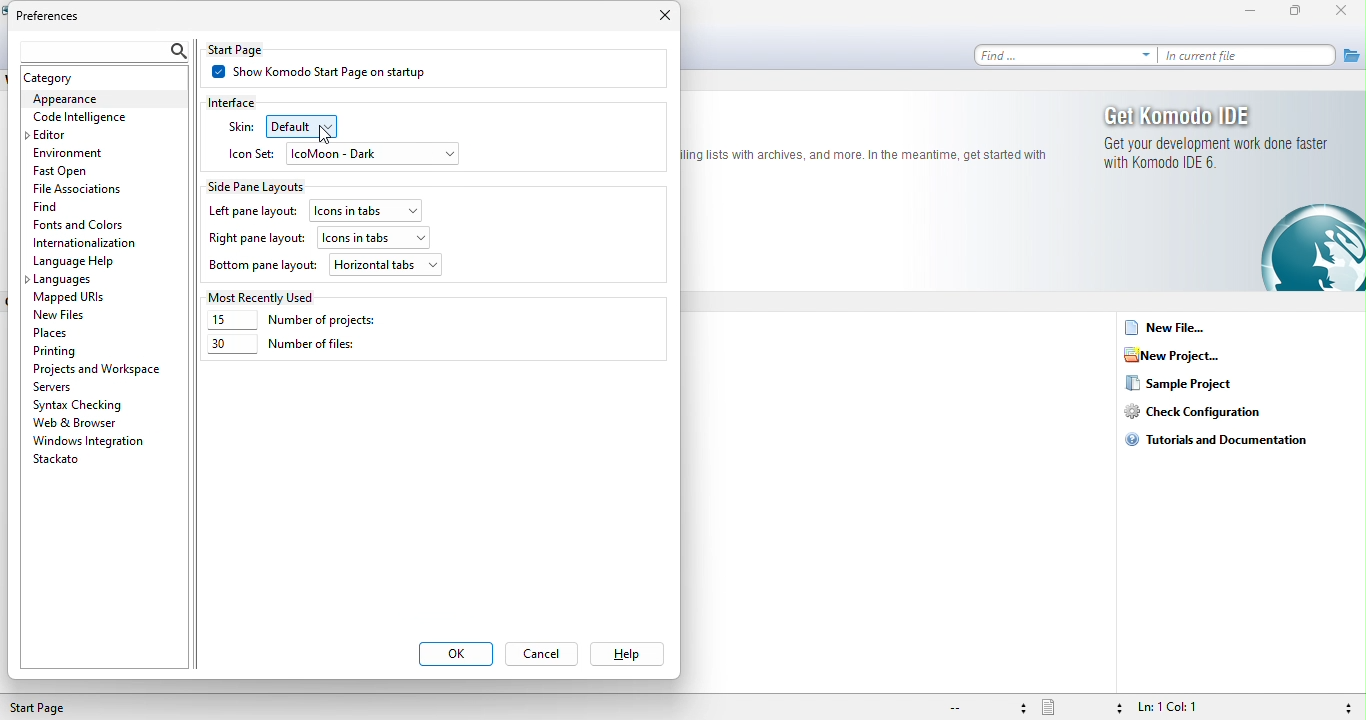 The width and height of the screenshot is (1366, 720). What do you see at coordinates (266, 296) in the screenshot?
I see `most recently used` at bounding box center [266, 296].